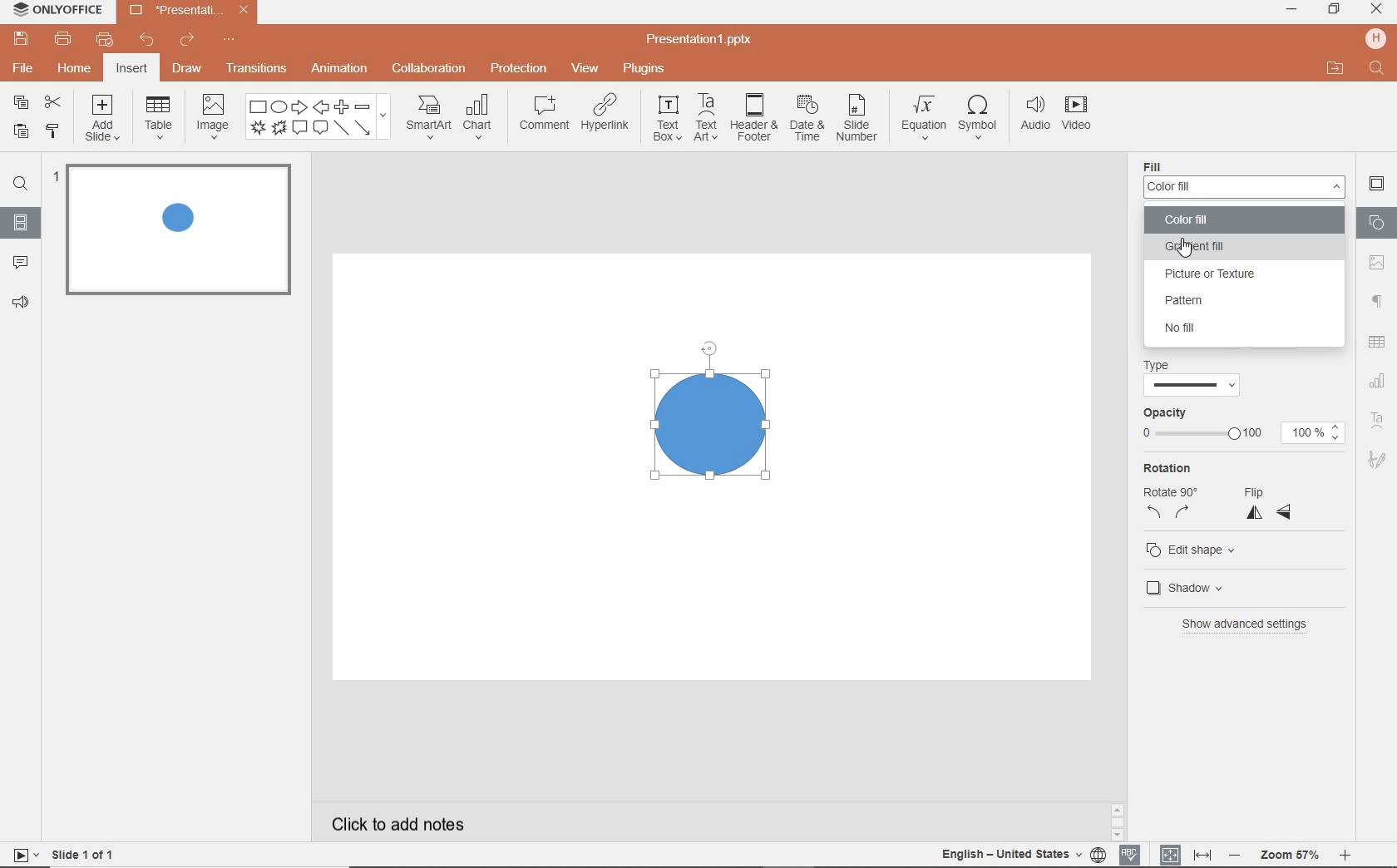  What do you see at coordinates (1033, 116) in the screenshot?
I see `audio` at bounding box center [1033, 116].